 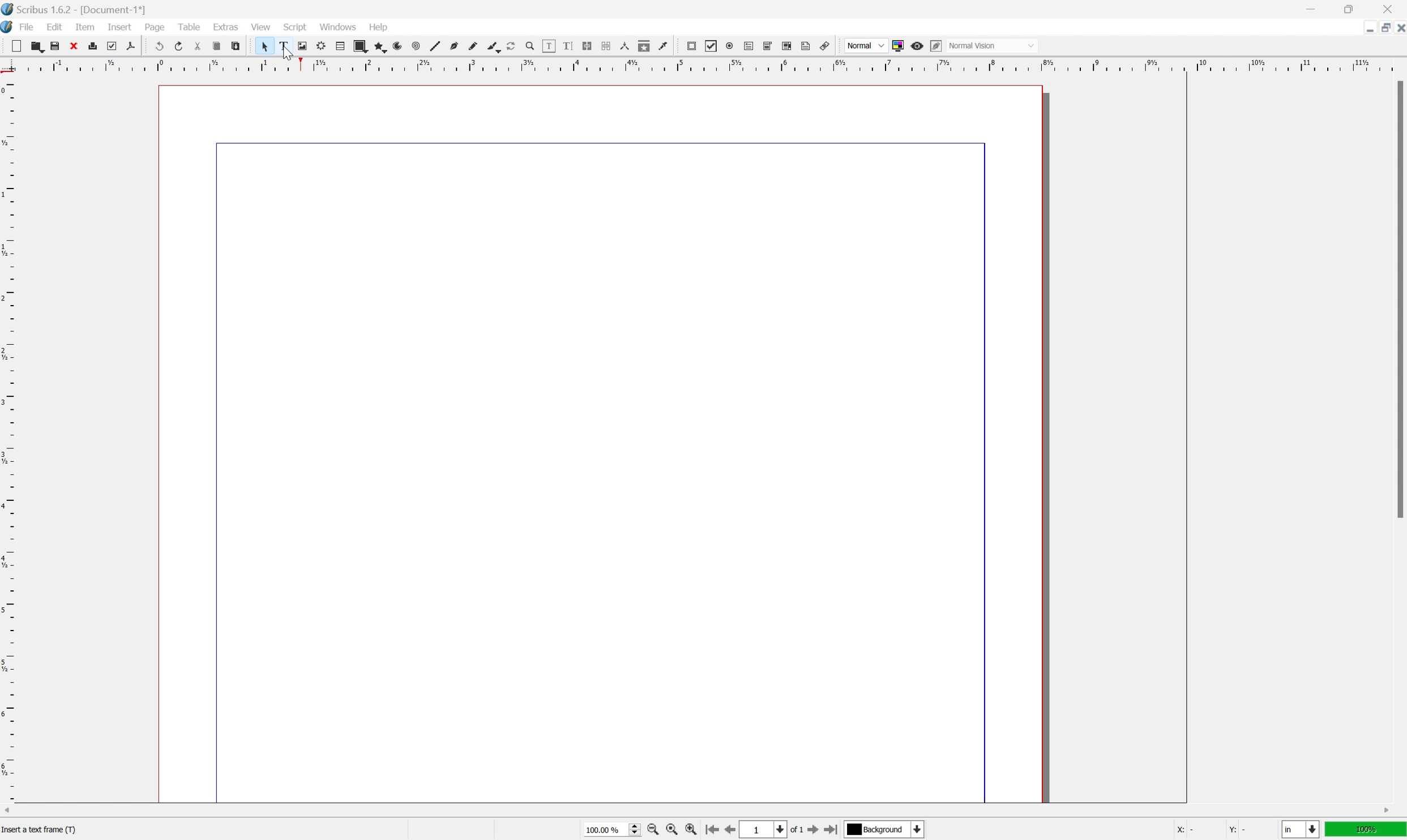 What do you see at coordinates (261, 28) in the screenshot?
I see `view` at bounding box center [261, 28].